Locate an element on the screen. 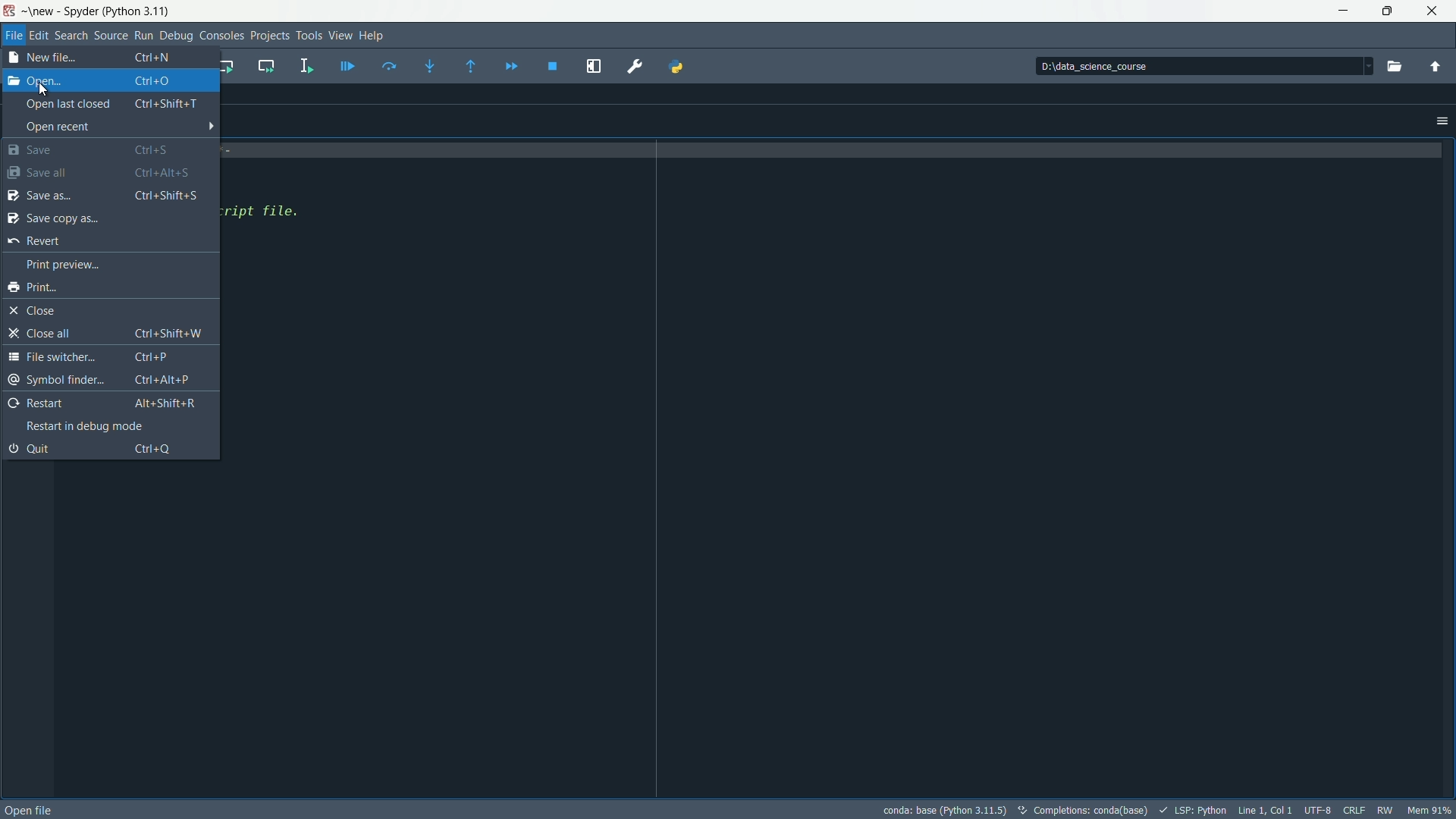  memory usage is located at coordinates (1430, 810).